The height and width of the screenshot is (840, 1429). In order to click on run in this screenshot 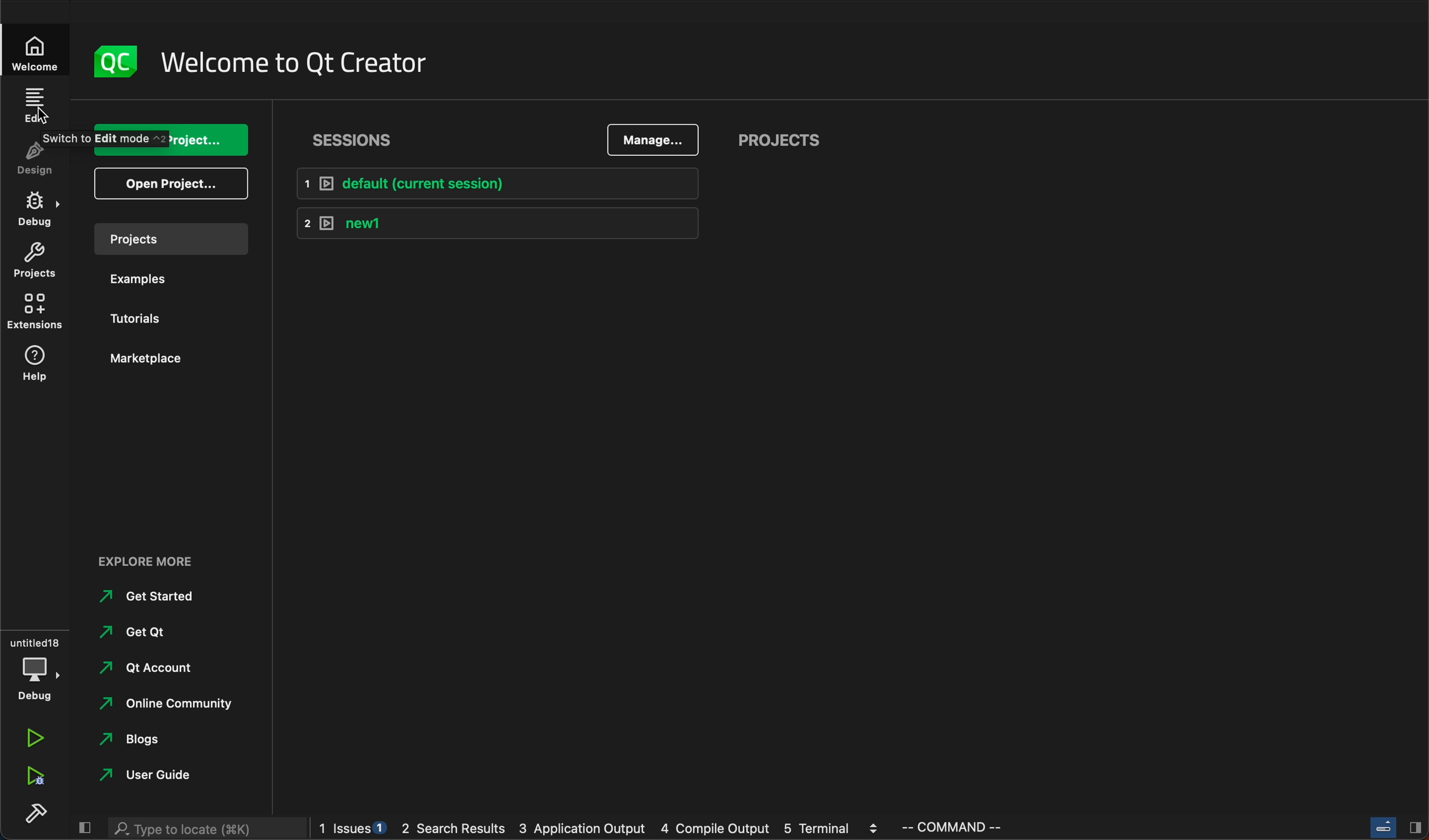, I will do `click(32, 739)`.